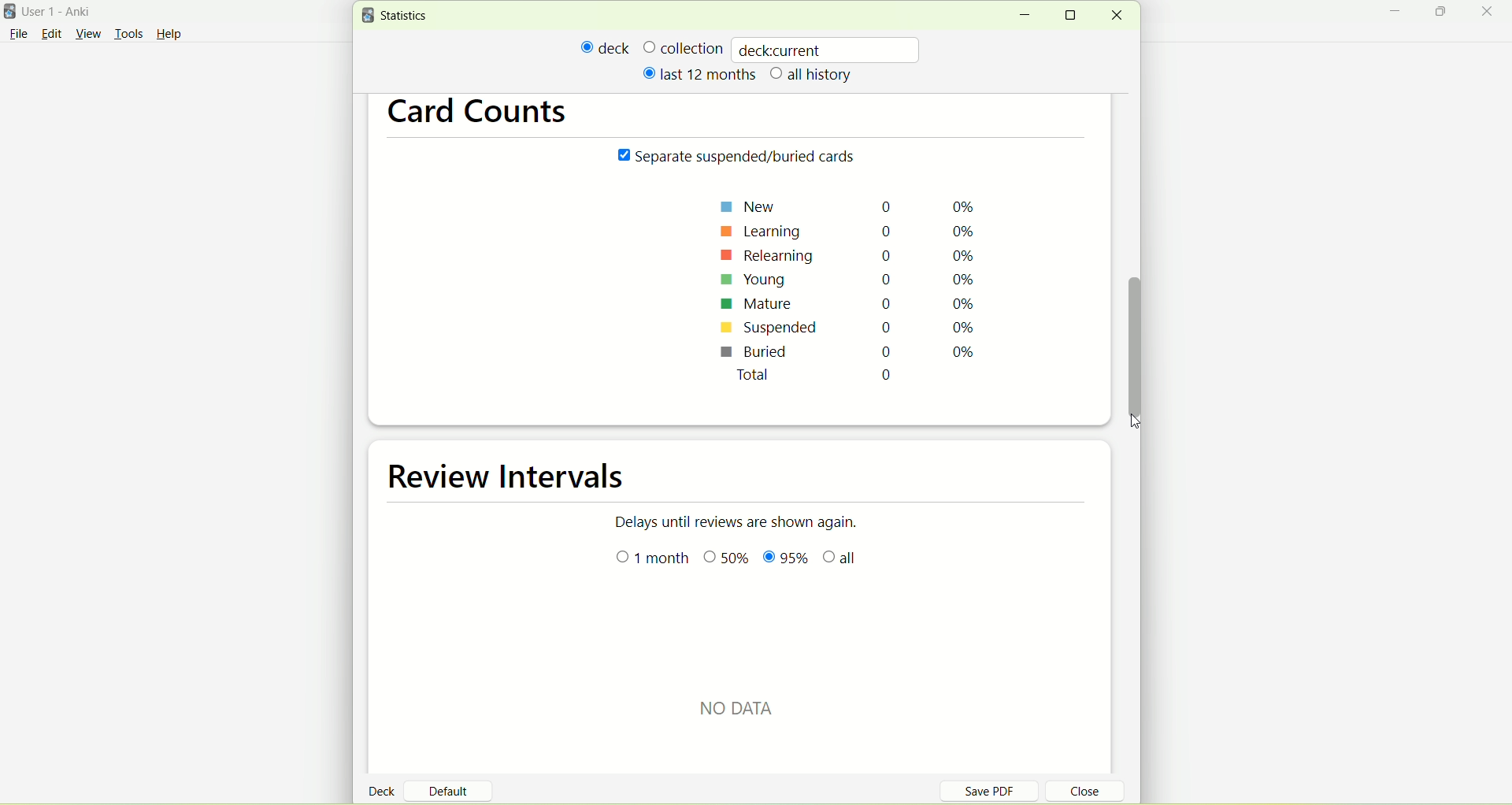  What do you see at coordinates (854, 228) in the screenshot?
I see `learning 0 0%` at bounding box center [854, 228].